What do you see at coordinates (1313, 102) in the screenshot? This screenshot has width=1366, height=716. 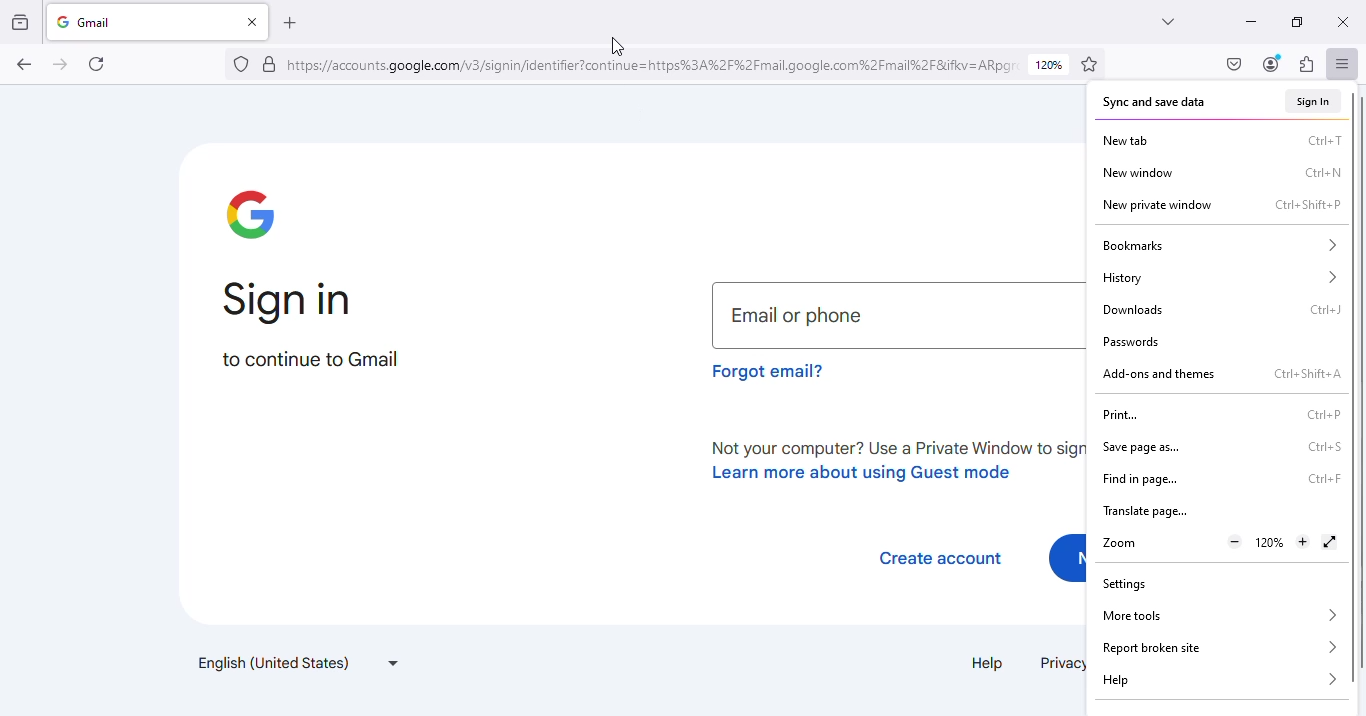 I see `sign in` at bounding box center [1313, 102].